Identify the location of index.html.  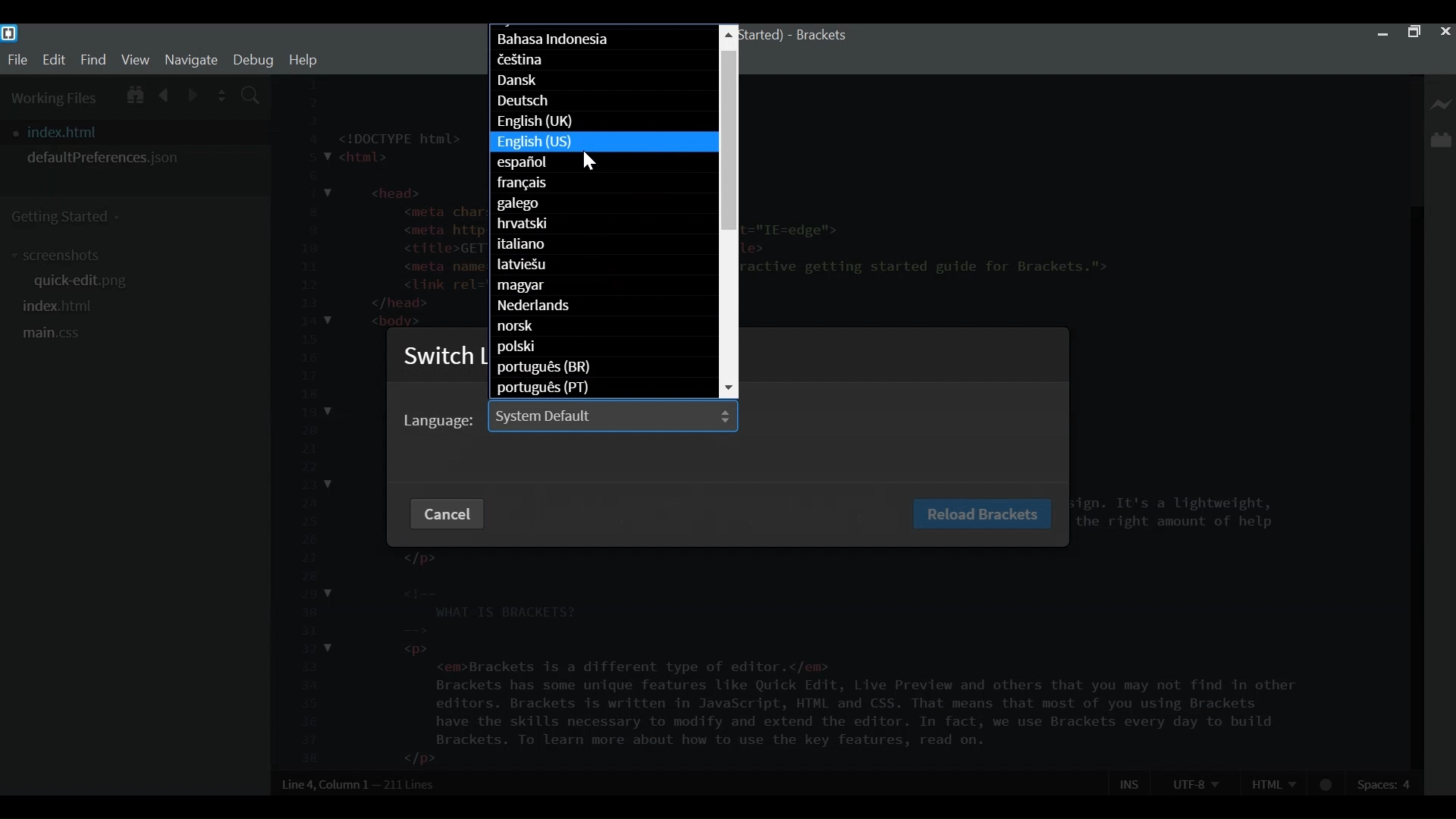
(60, 306).